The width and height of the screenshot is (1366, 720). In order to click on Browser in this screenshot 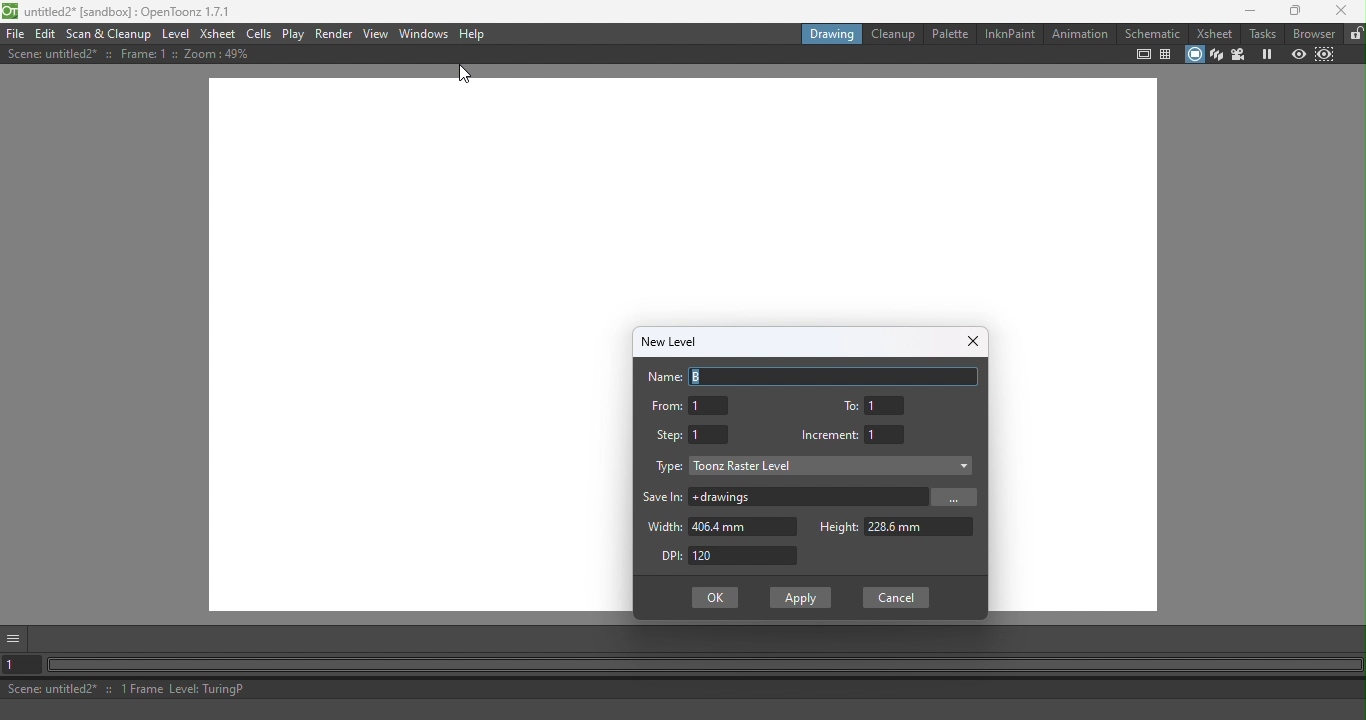, I will do `click(1313, 33)`.